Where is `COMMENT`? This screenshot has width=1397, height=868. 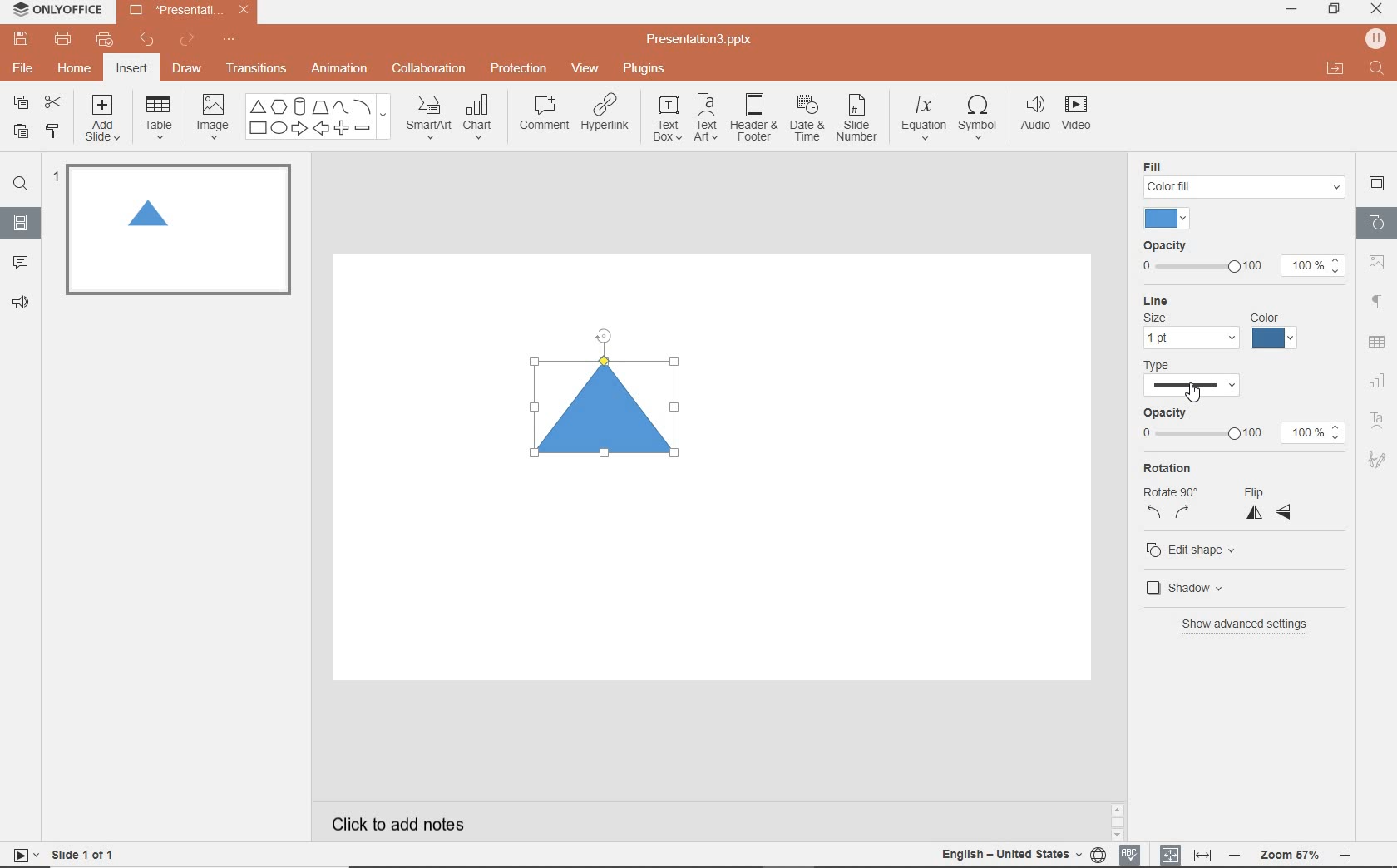 COMMENT is located at coordinates (543, 117).